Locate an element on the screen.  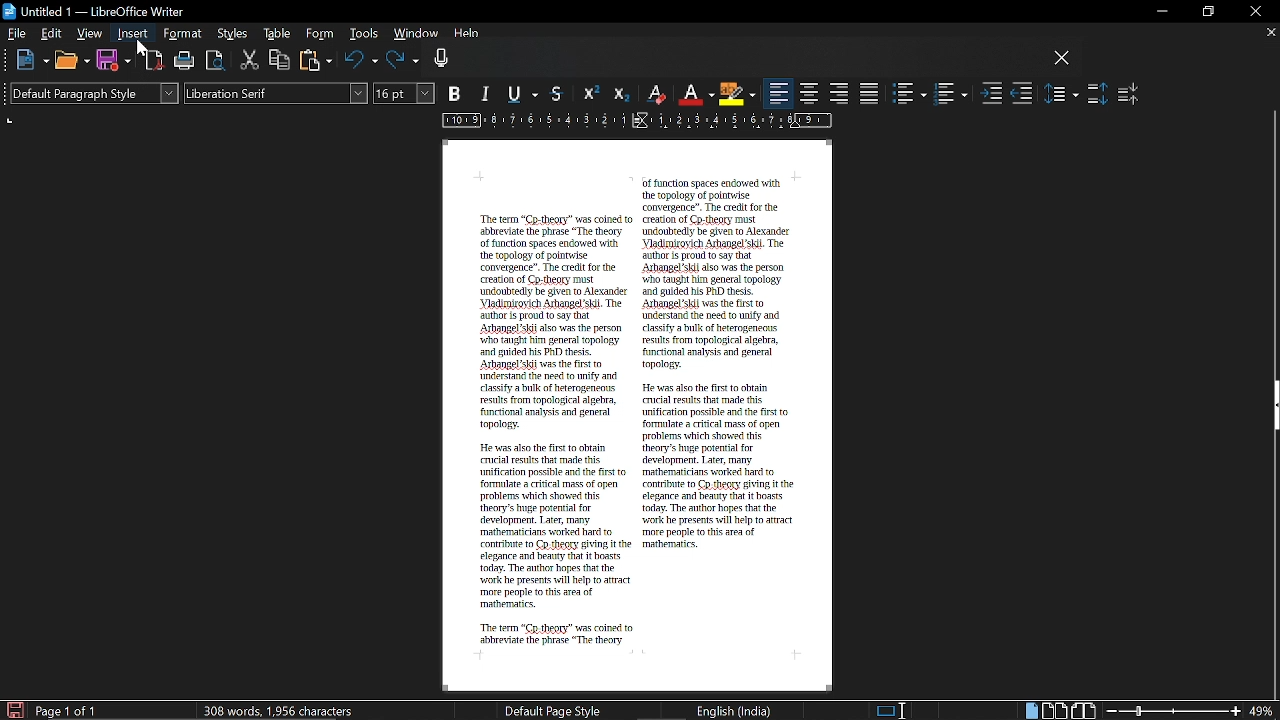
Single page view is located at coordinates (1030, 711).